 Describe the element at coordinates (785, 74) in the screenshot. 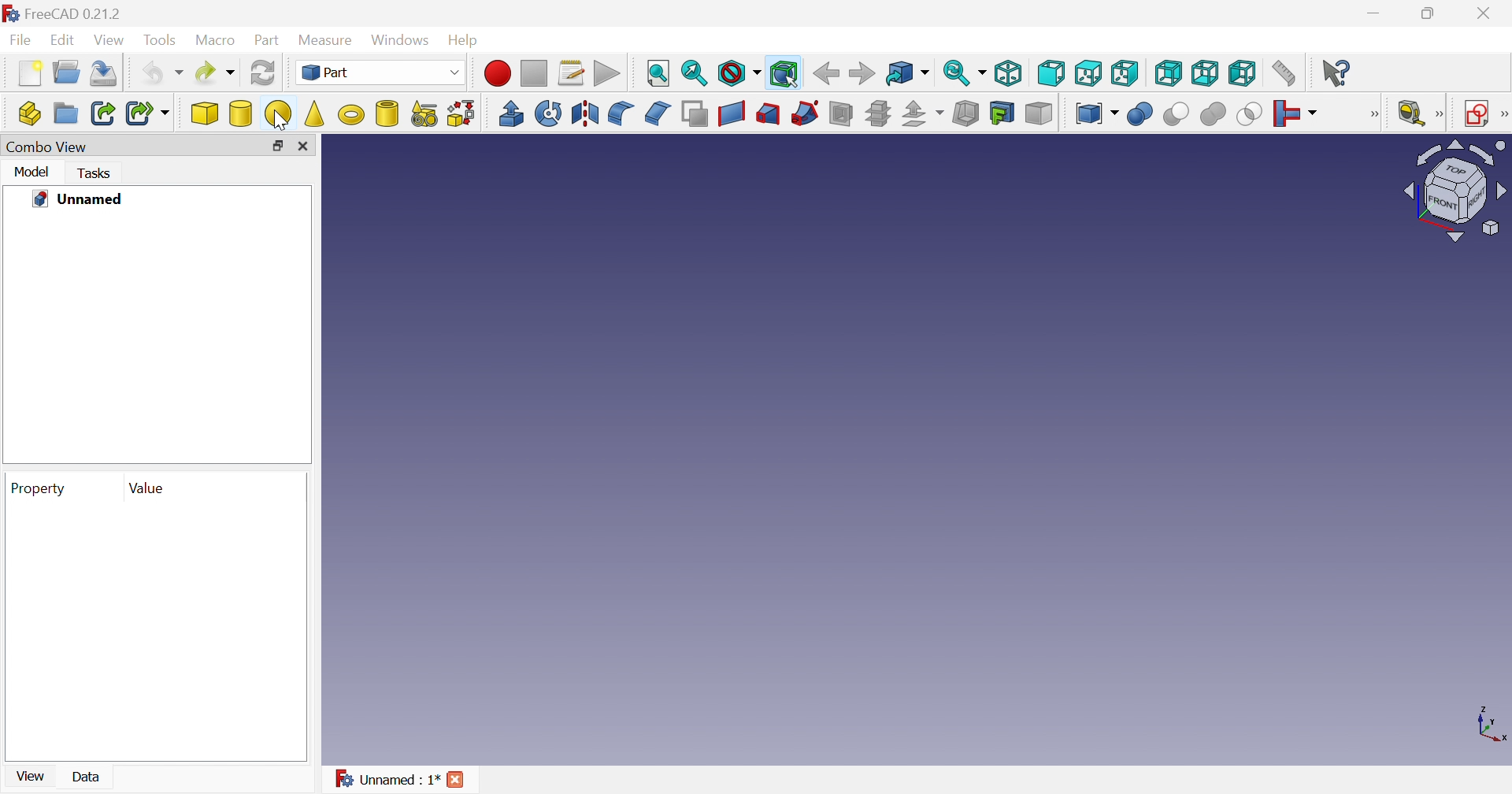

I see `Bounding box` at that location.